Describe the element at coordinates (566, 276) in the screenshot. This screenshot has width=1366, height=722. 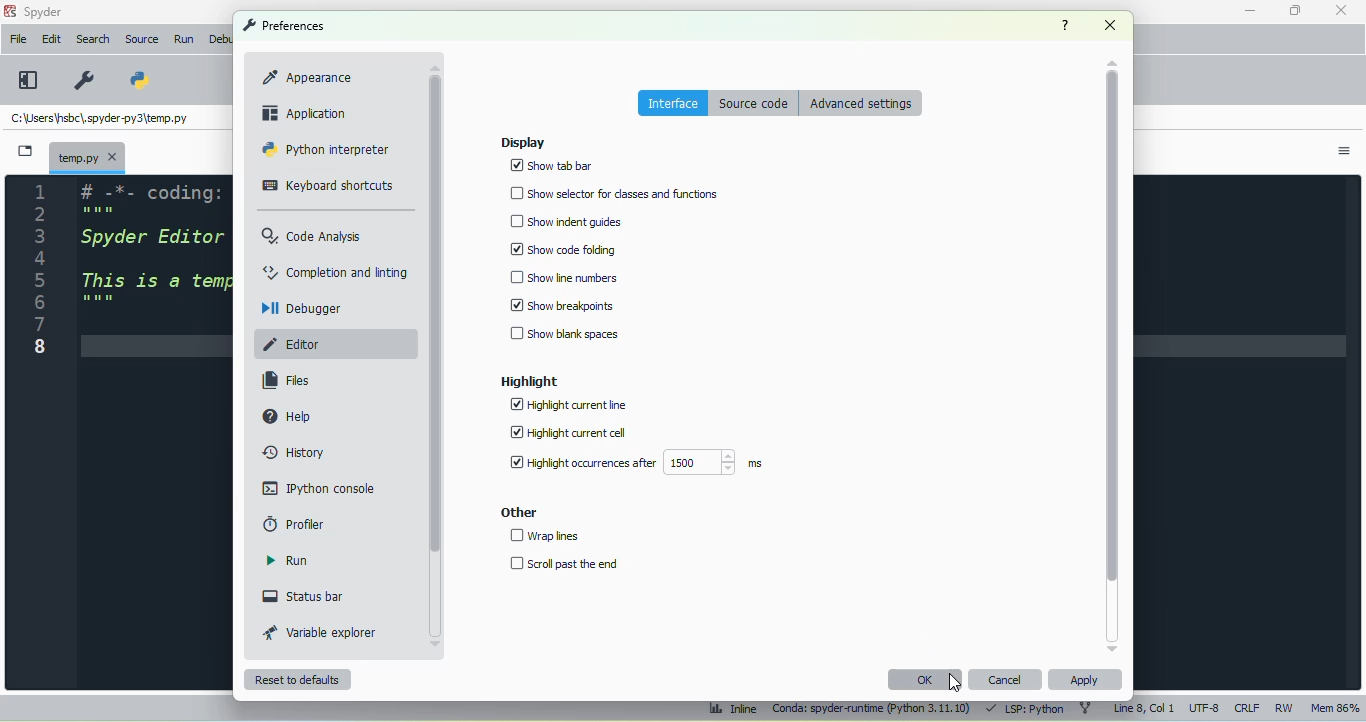
I see `show line numbers` at that location.